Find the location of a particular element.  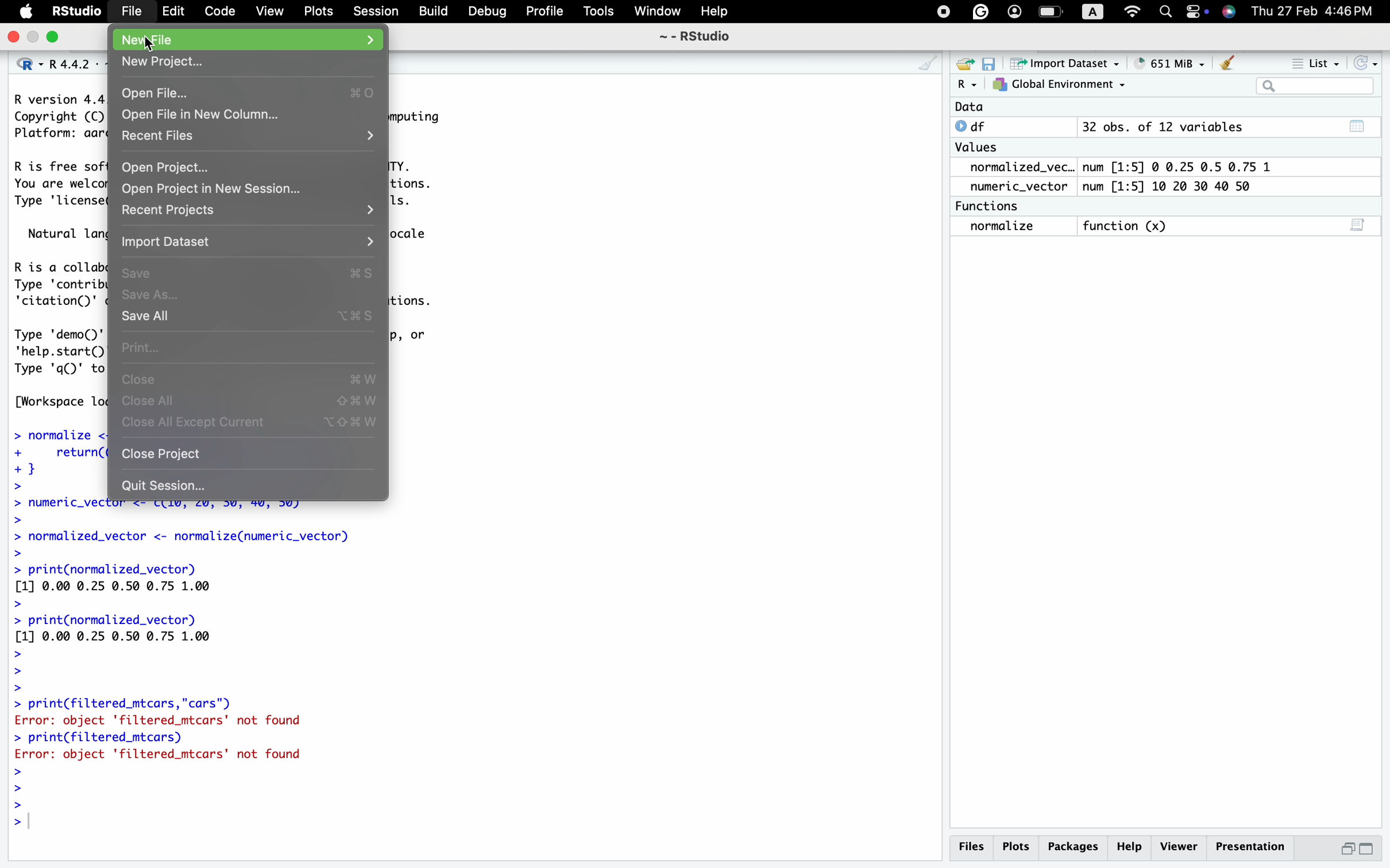

Plots is located at coordinates (316, 10).